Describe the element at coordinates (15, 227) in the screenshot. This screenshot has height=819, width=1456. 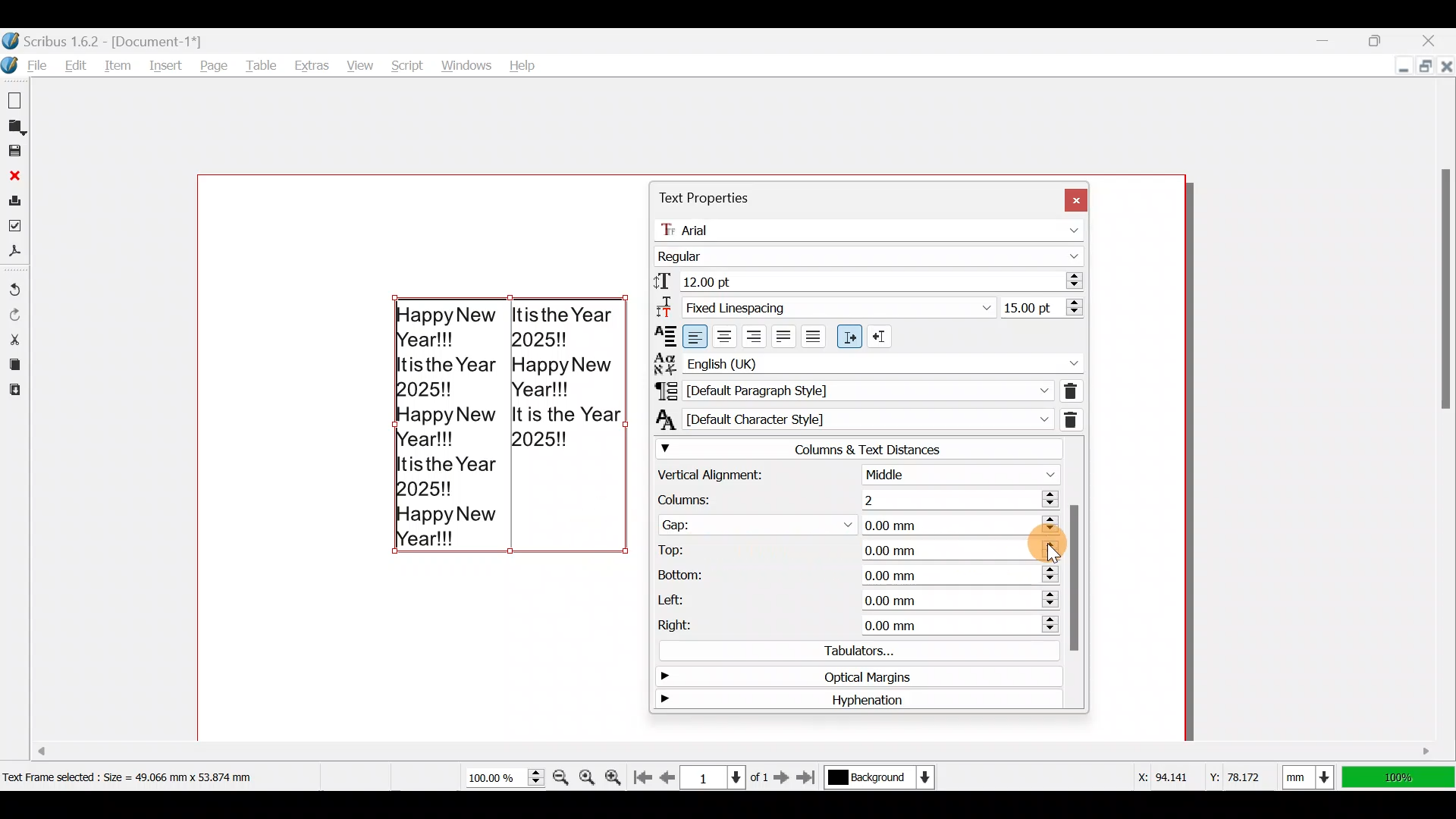
I see `Preflight verifier` at that location.